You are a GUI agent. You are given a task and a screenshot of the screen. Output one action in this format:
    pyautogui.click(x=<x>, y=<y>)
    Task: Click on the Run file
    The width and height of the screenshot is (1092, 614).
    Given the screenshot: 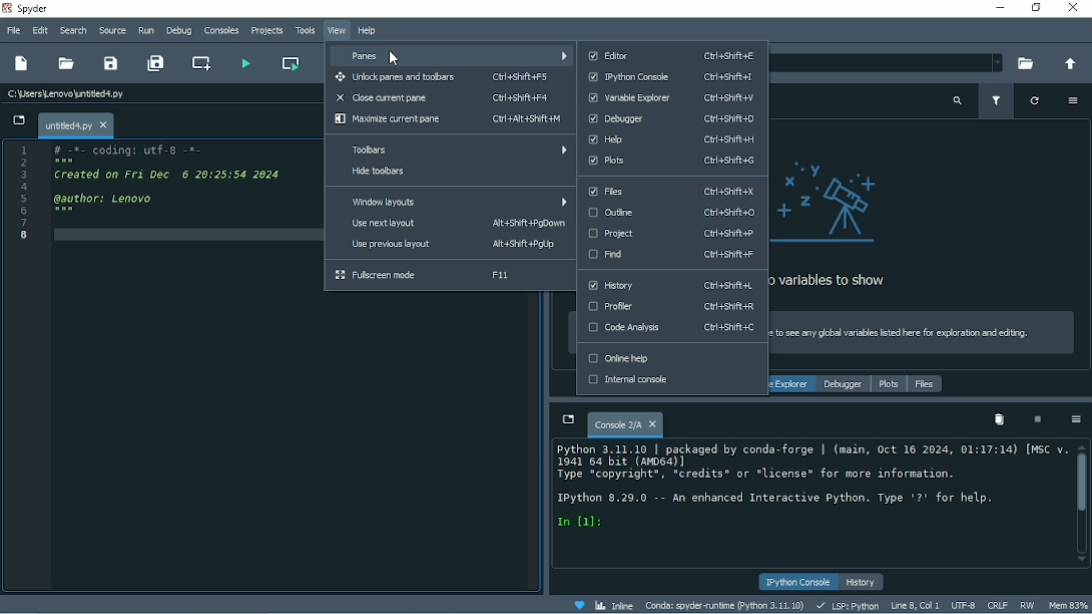 What is the action you would take?
    pyautogui.click(x=246, y=62)
    